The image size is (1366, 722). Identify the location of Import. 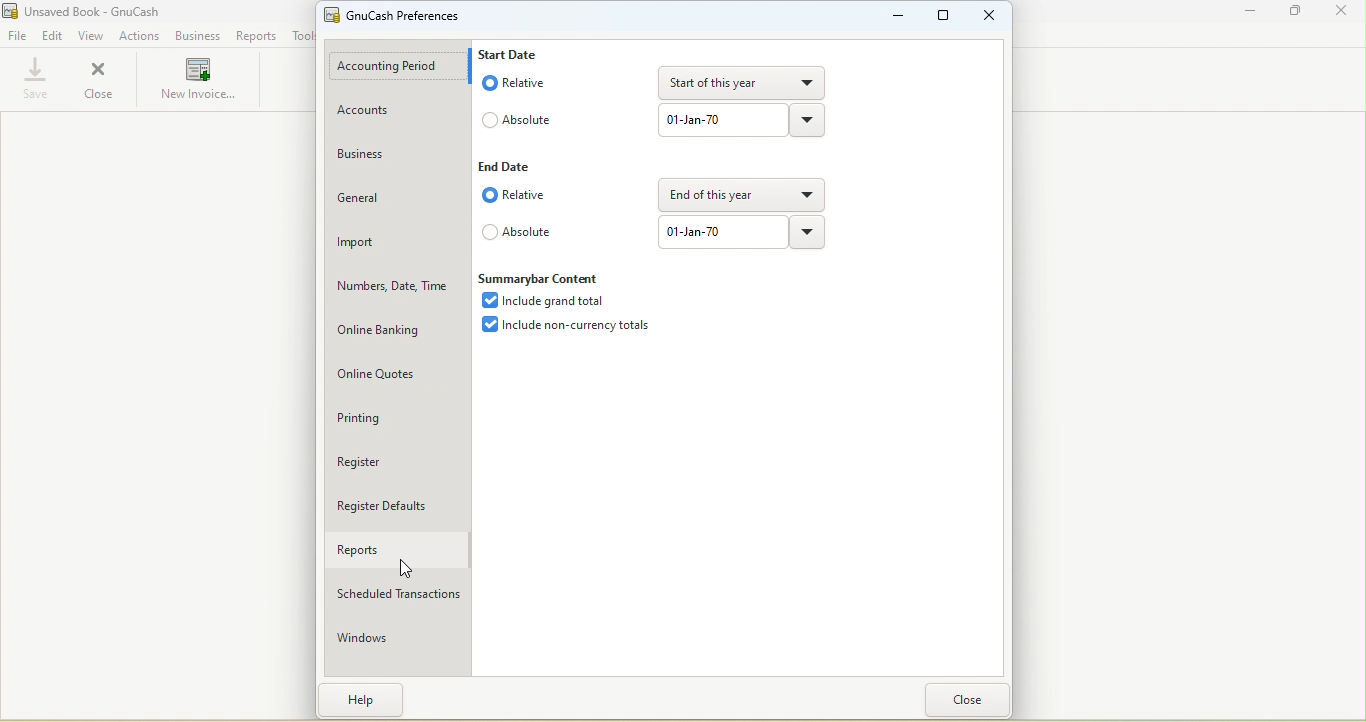
(397, 244).